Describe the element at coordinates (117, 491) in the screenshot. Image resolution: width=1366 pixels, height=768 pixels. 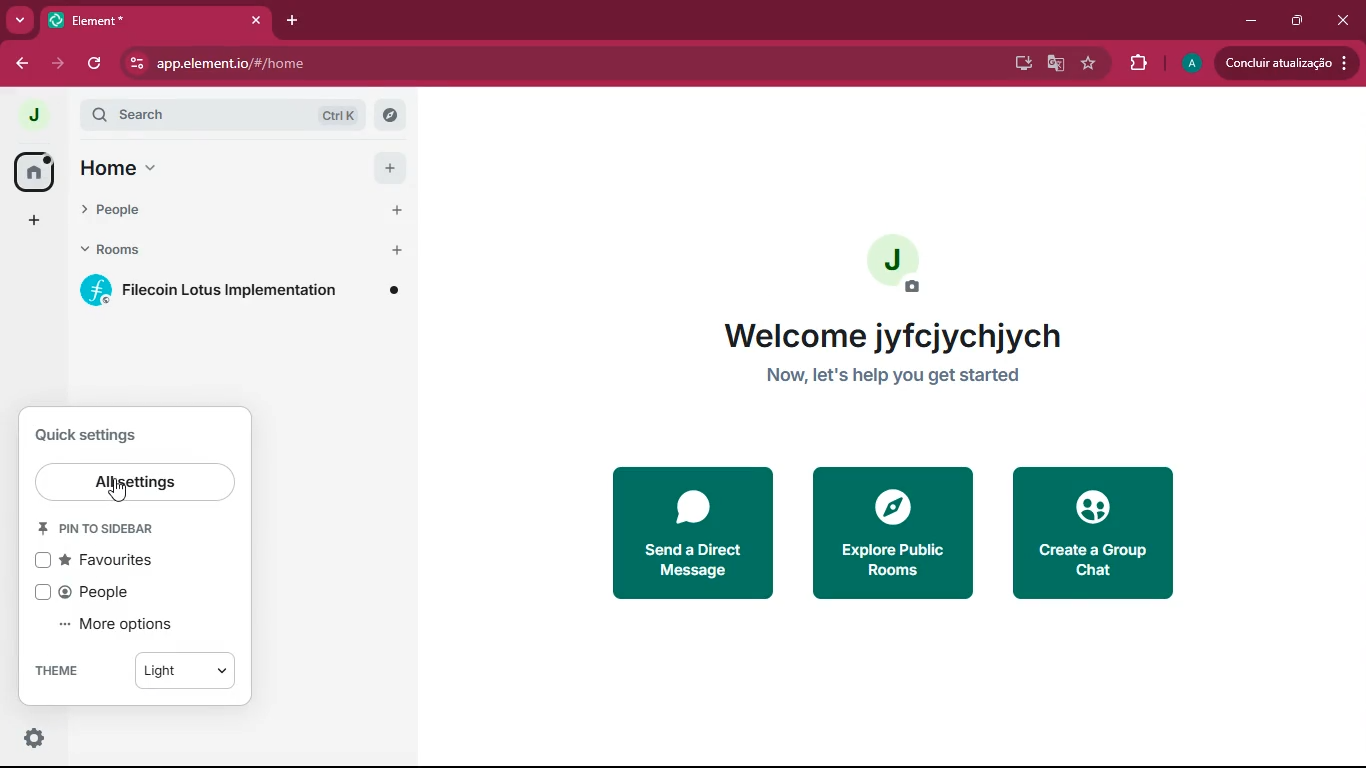
I see `cursor` at that location.